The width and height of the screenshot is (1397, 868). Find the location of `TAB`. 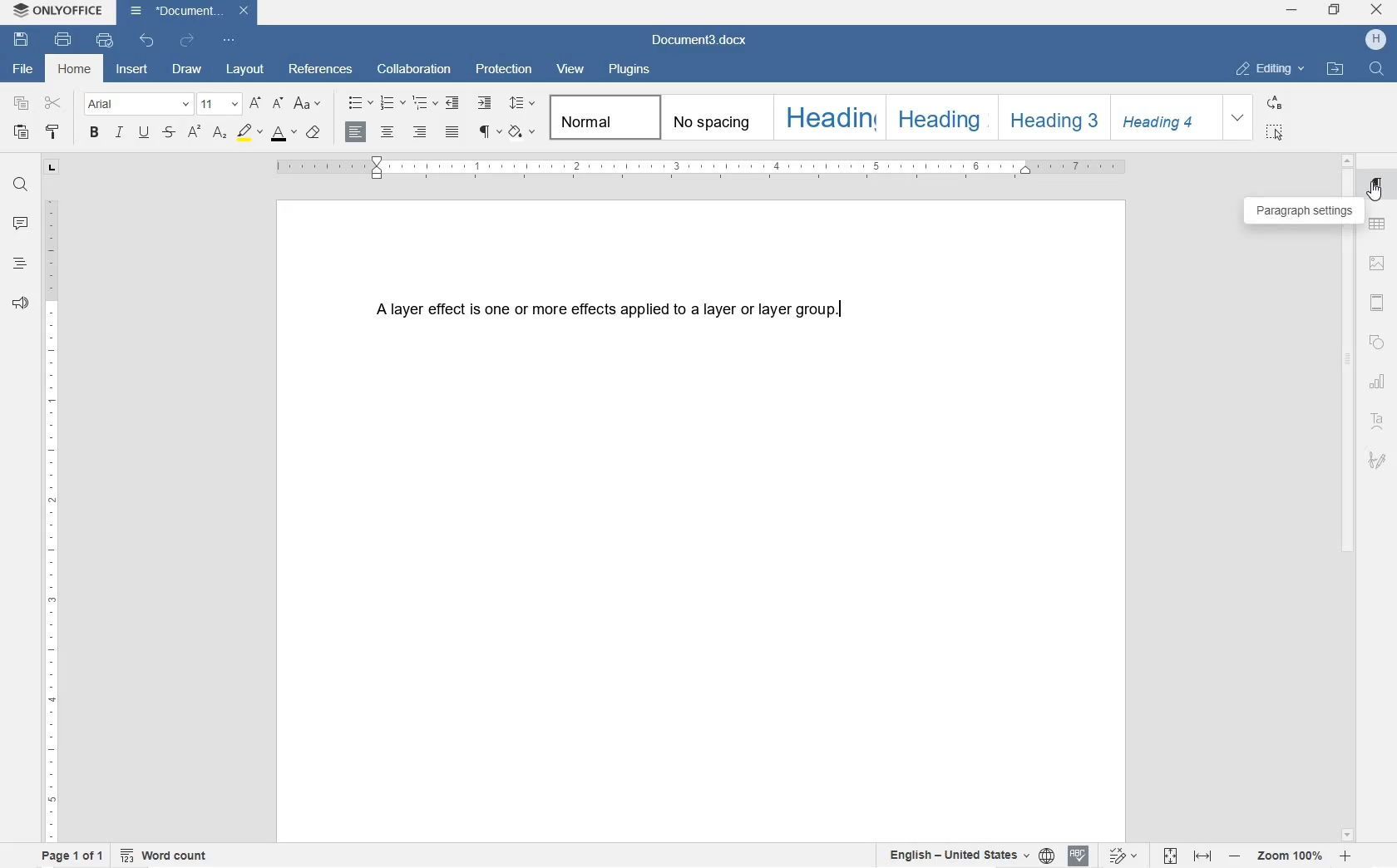

TAB is located at coordinates (52, 169).